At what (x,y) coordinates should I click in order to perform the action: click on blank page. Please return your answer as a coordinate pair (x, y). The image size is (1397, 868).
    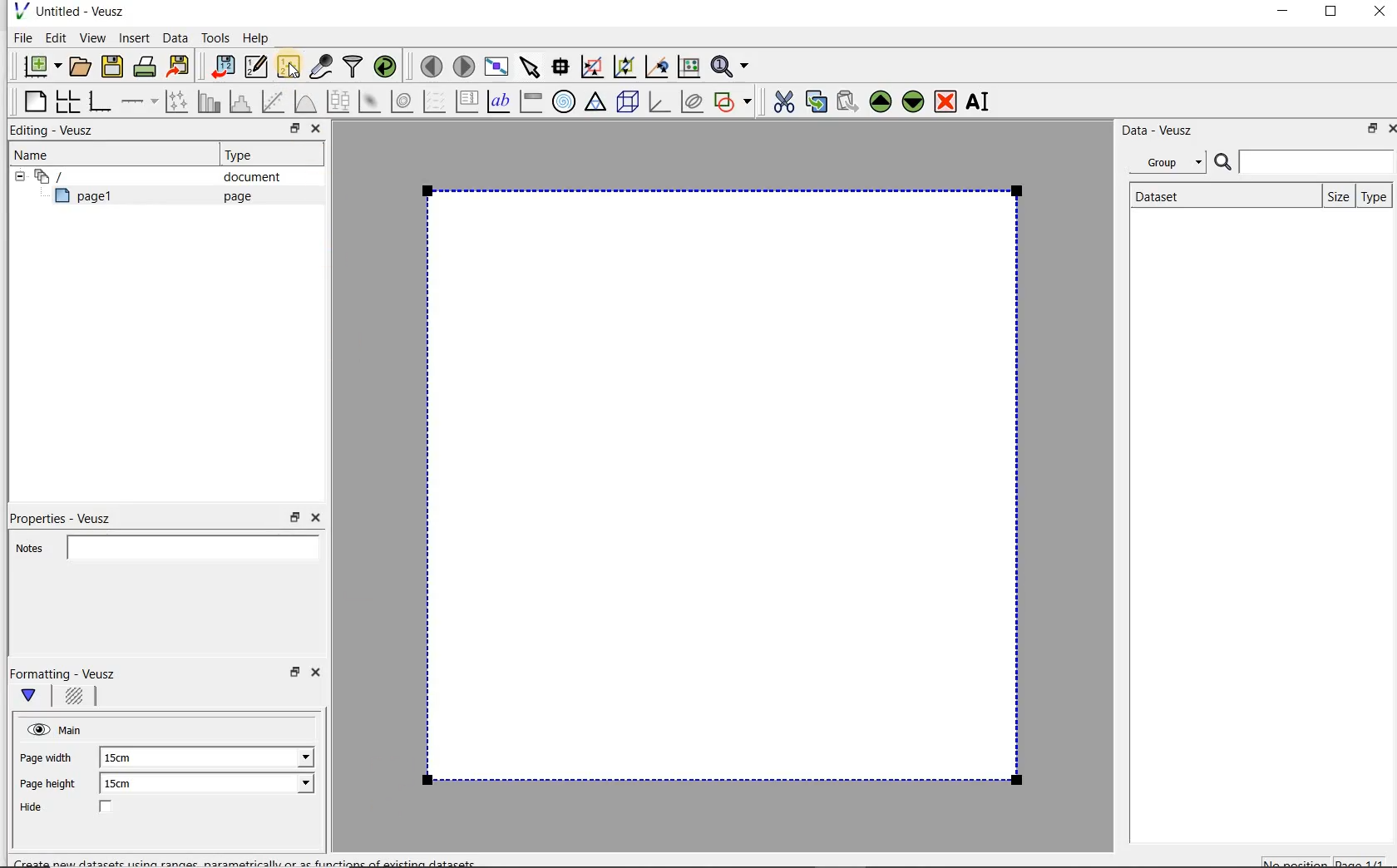
    Looking at the image, I should click on (32, 99).